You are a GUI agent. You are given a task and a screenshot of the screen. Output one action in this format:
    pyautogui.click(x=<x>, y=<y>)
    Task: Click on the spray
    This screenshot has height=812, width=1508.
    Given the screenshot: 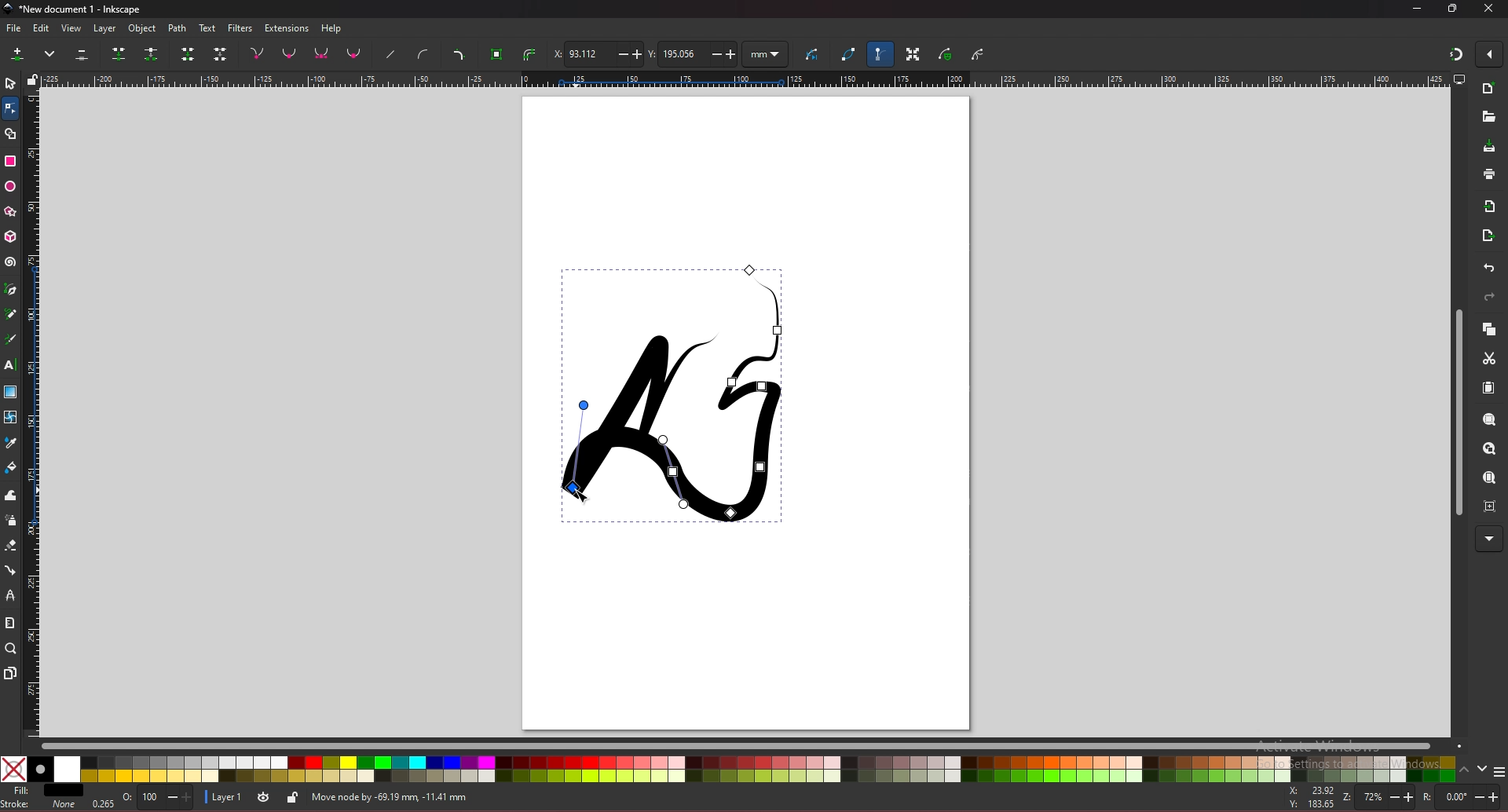 What is the action you would take?
    pyautogui.click(x=11, y=521)
    